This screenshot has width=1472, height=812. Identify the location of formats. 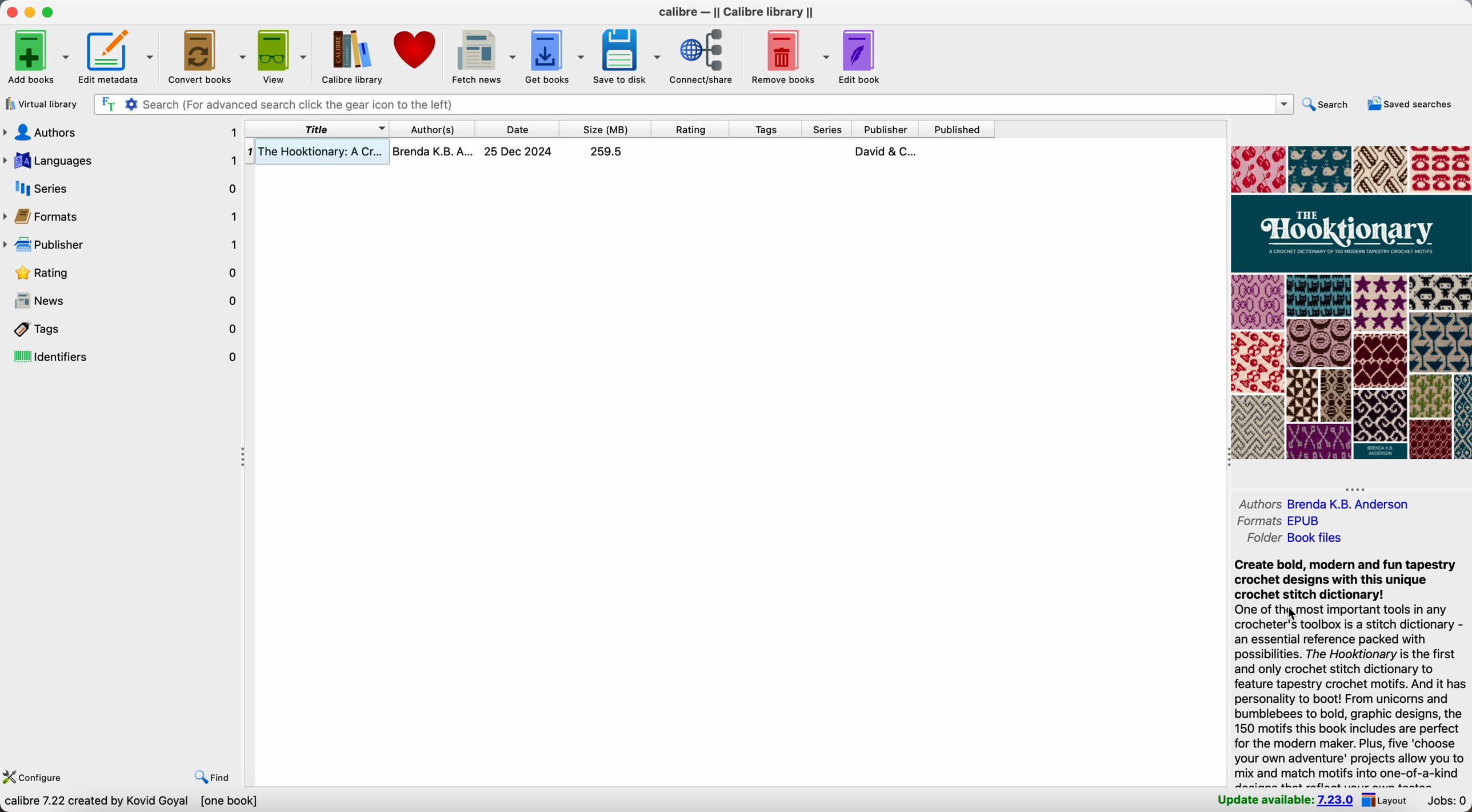
(1283, 522).